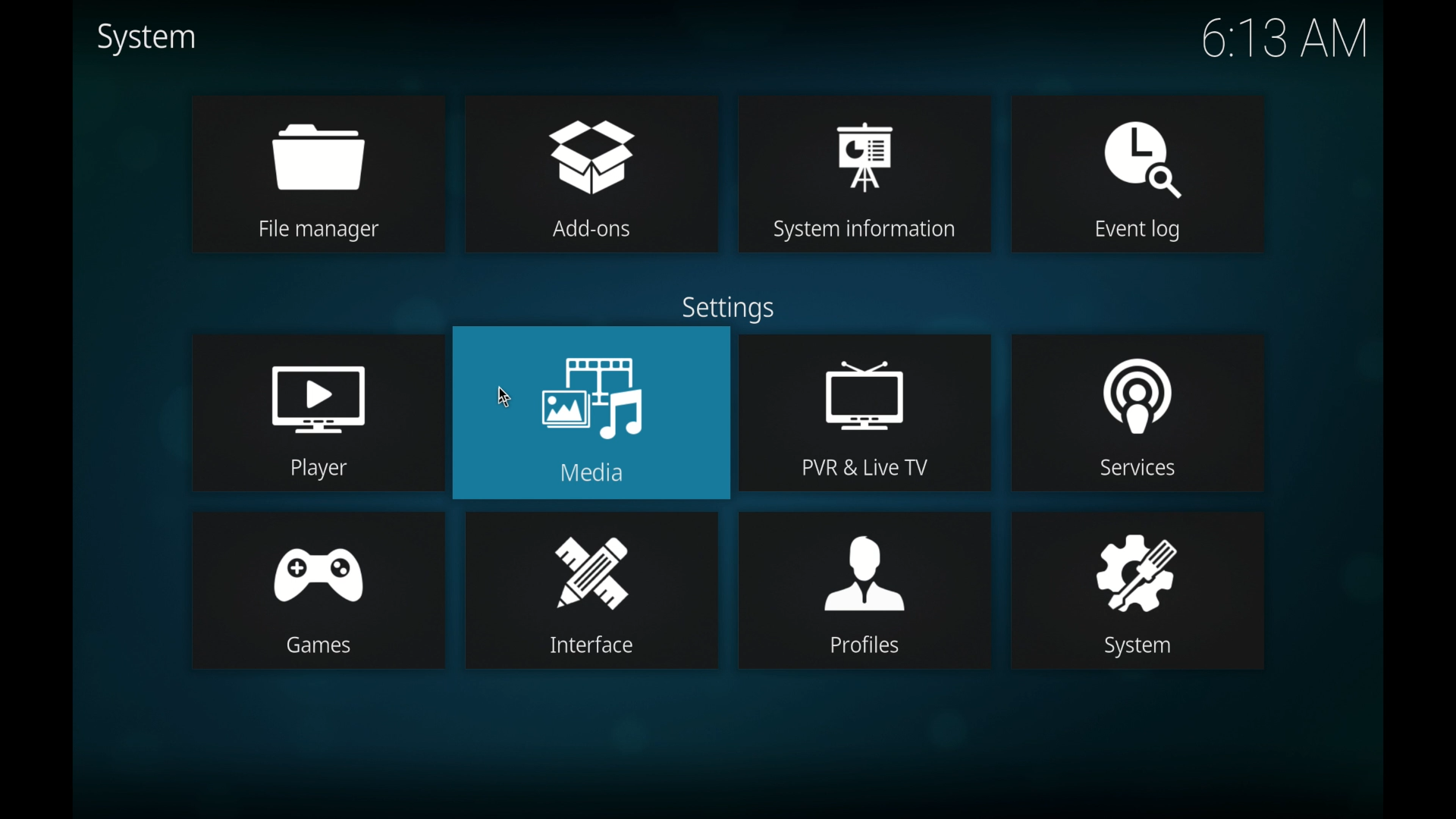  What do you see at coordinates (1142, 412) in the screenshot?
I see `services` at bounding box center [1142, 412].